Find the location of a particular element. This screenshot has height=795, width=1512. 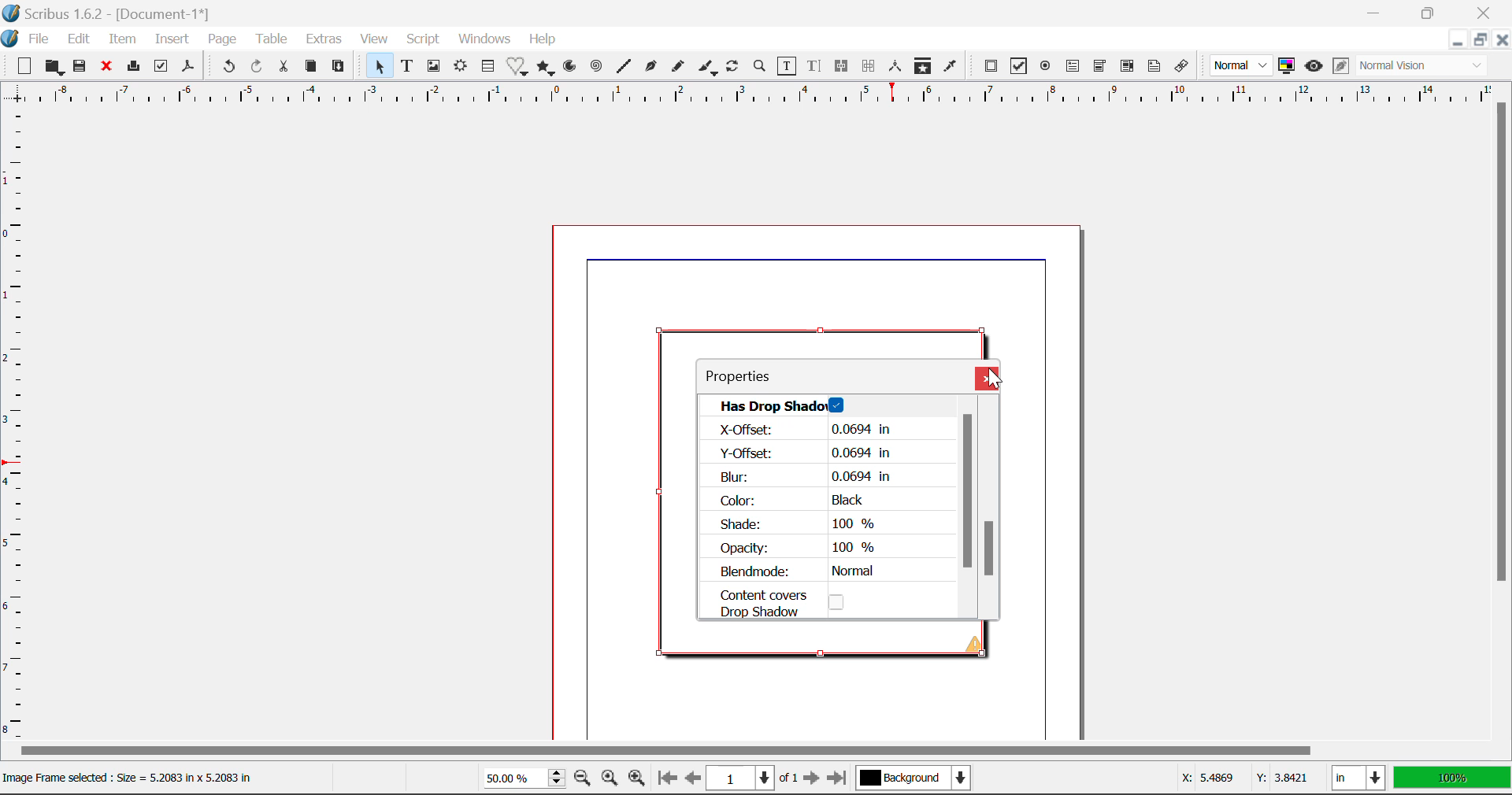

Extras is located at coordinates (324, 39).